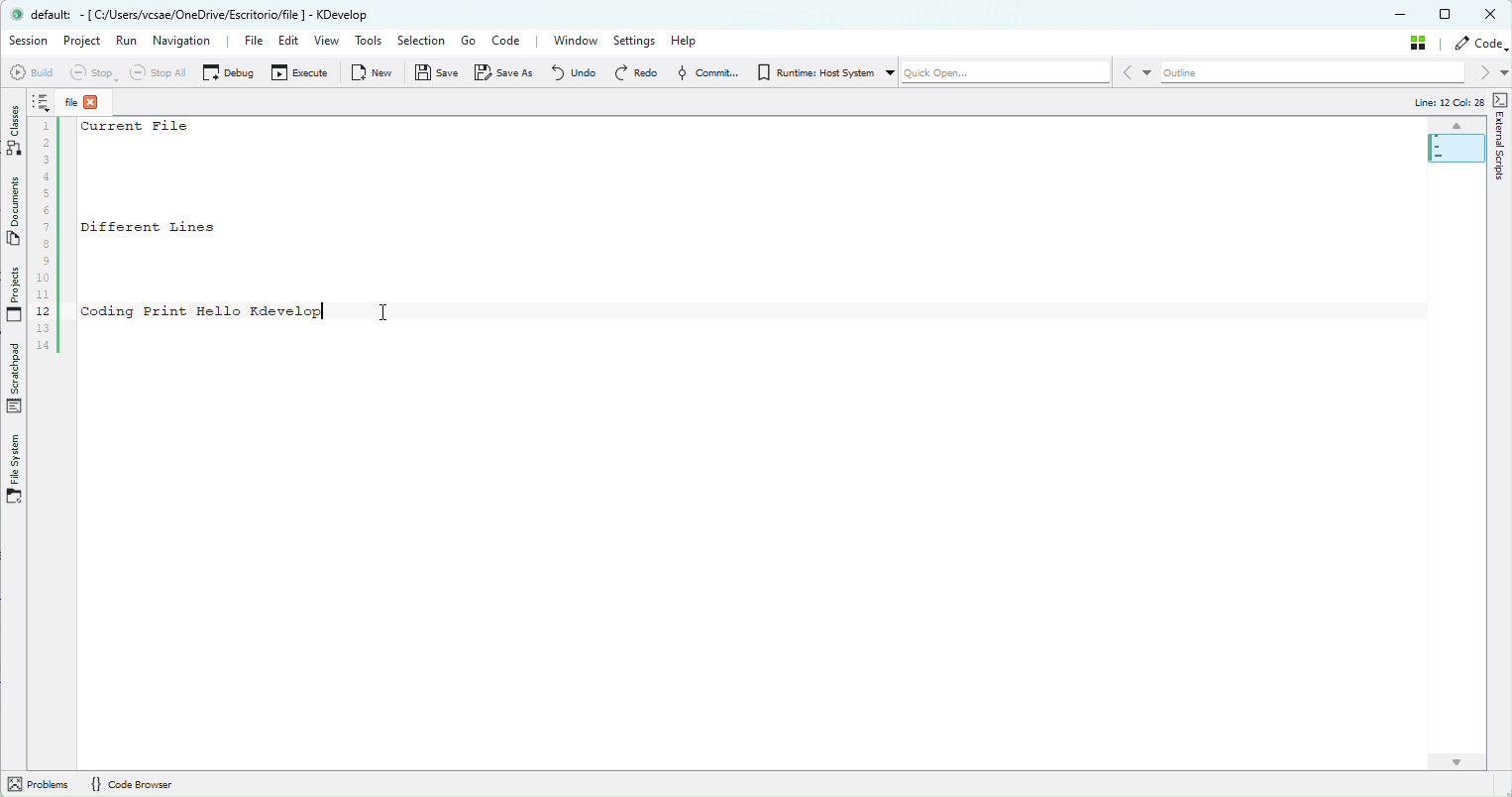 Image resolution: width=1512 pixels, height=797 pixels. Describe the element at coordinates (293, 40) in the screenshot. I see `Edit` at that location.